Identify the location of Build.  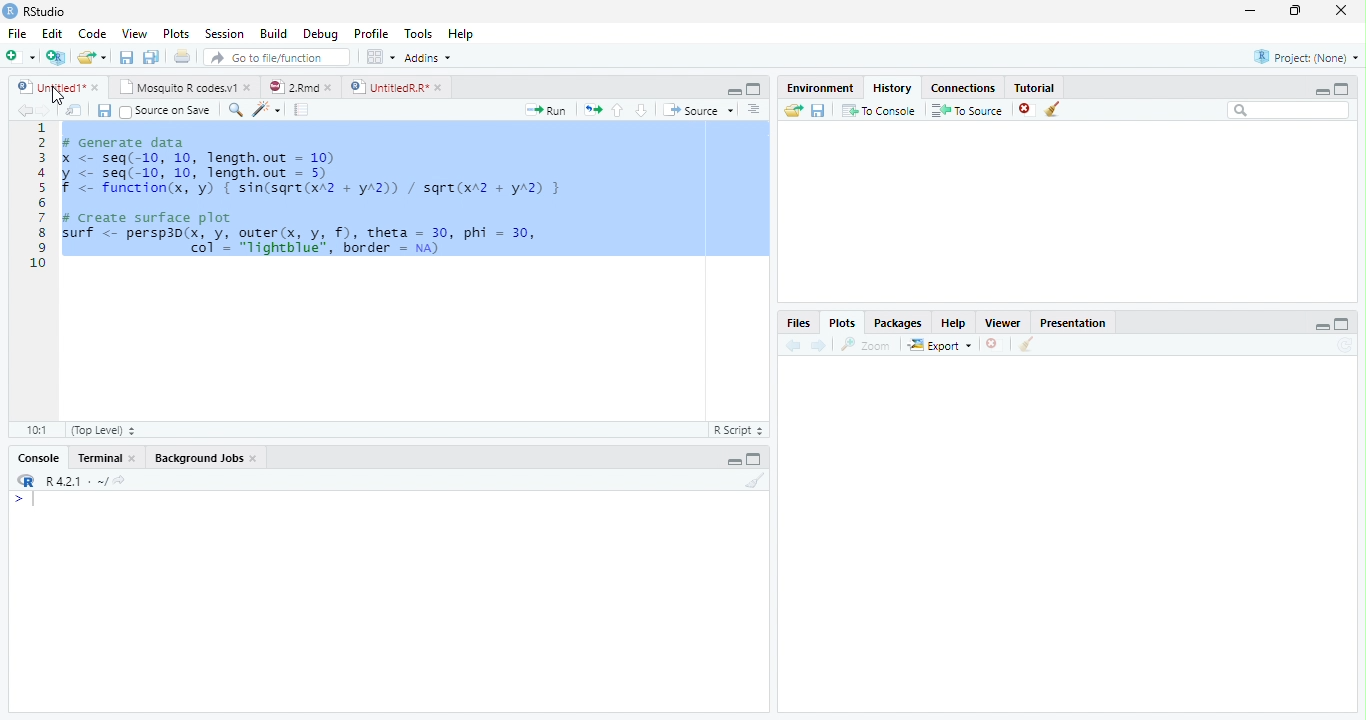
(273, 33).